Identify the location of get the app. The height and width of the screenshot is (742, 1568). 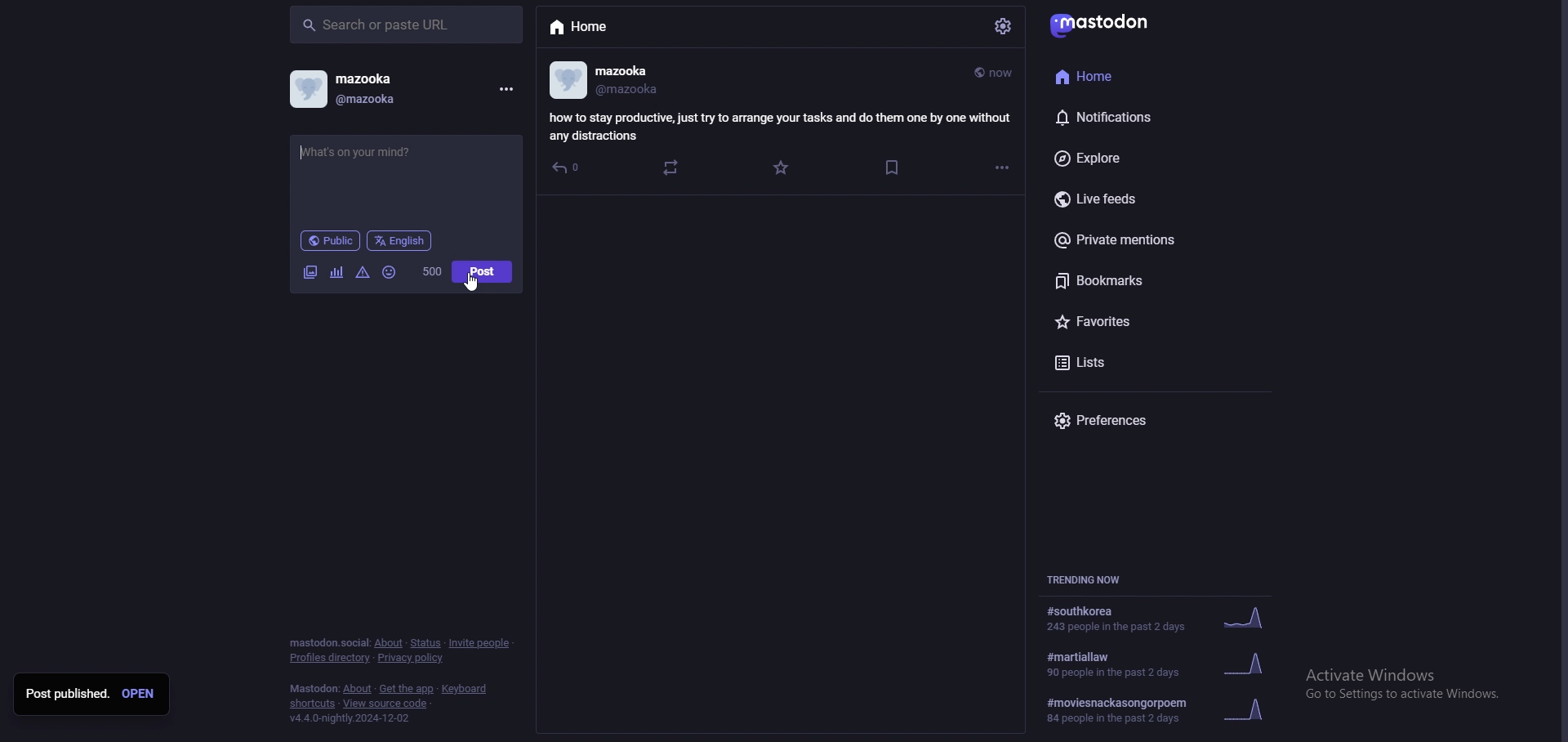
(1242, 2205).